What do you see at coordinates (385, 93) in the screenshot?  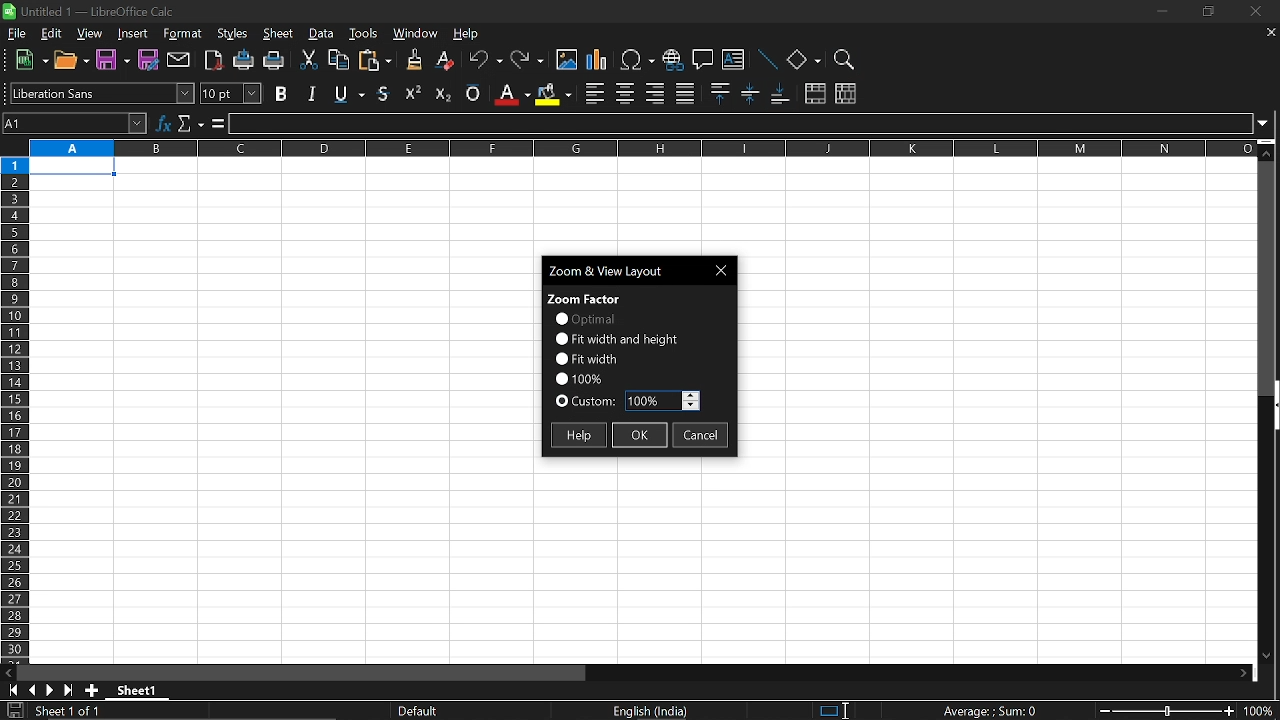 I see `underline` at bounding box center [385, 93].